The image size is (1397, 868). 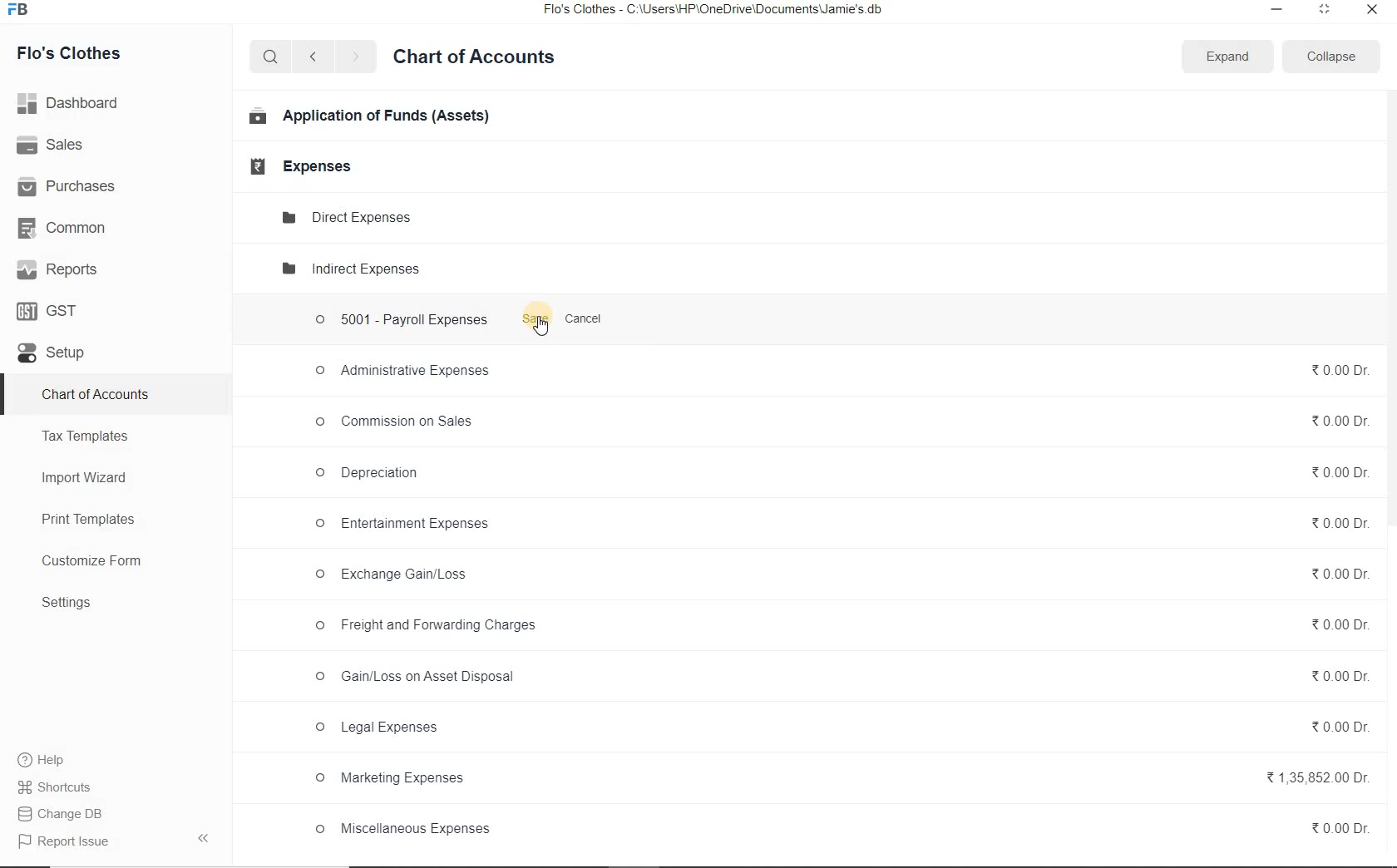 What do you see at coordinates (840, 575) in the screenshot?
I see `O Exchange Gain/Loss %0.000r.` at bounding box center [840, 575].